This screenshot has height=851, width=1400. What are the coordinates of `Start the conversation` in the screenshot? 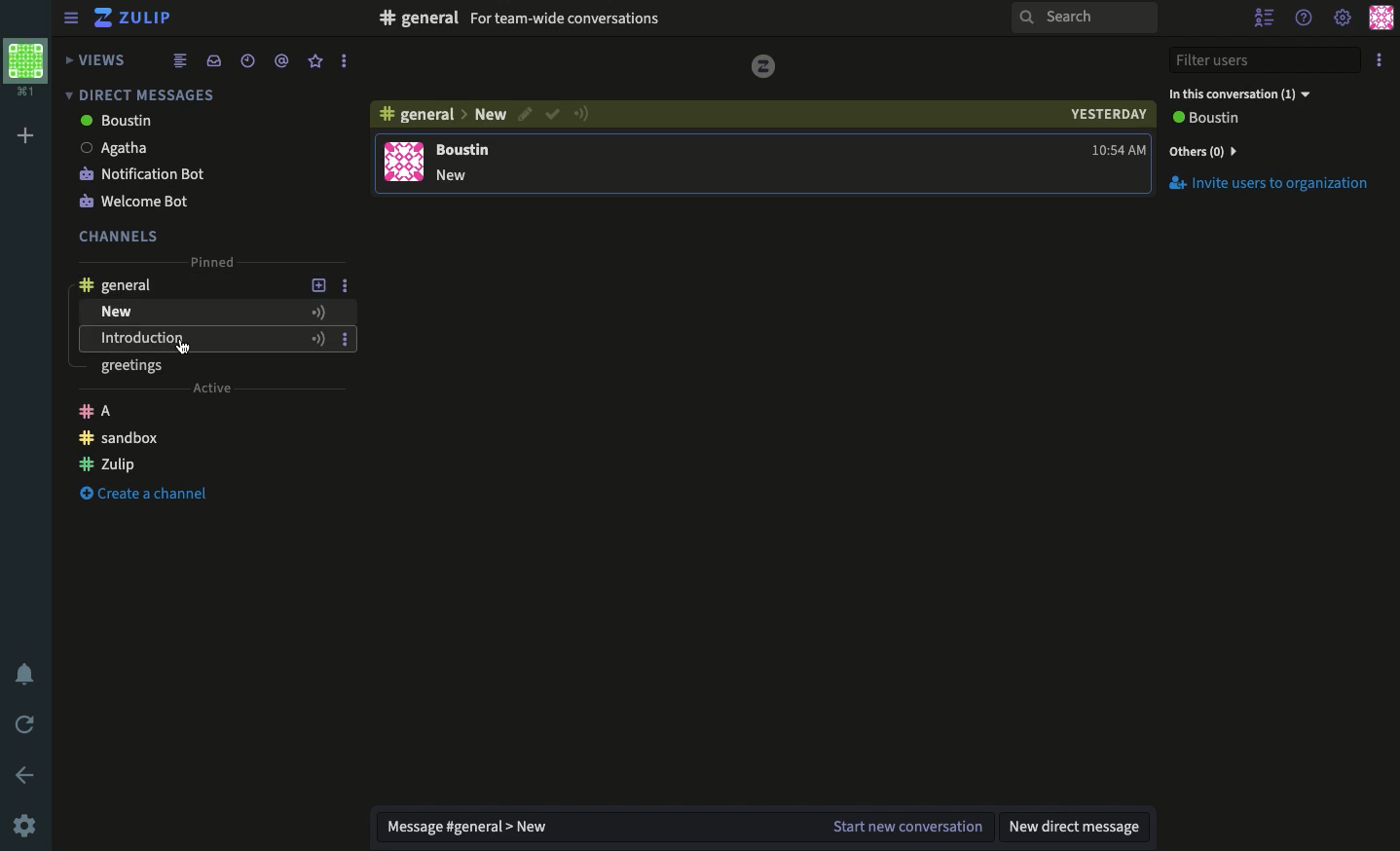 It's located at (904, 828).